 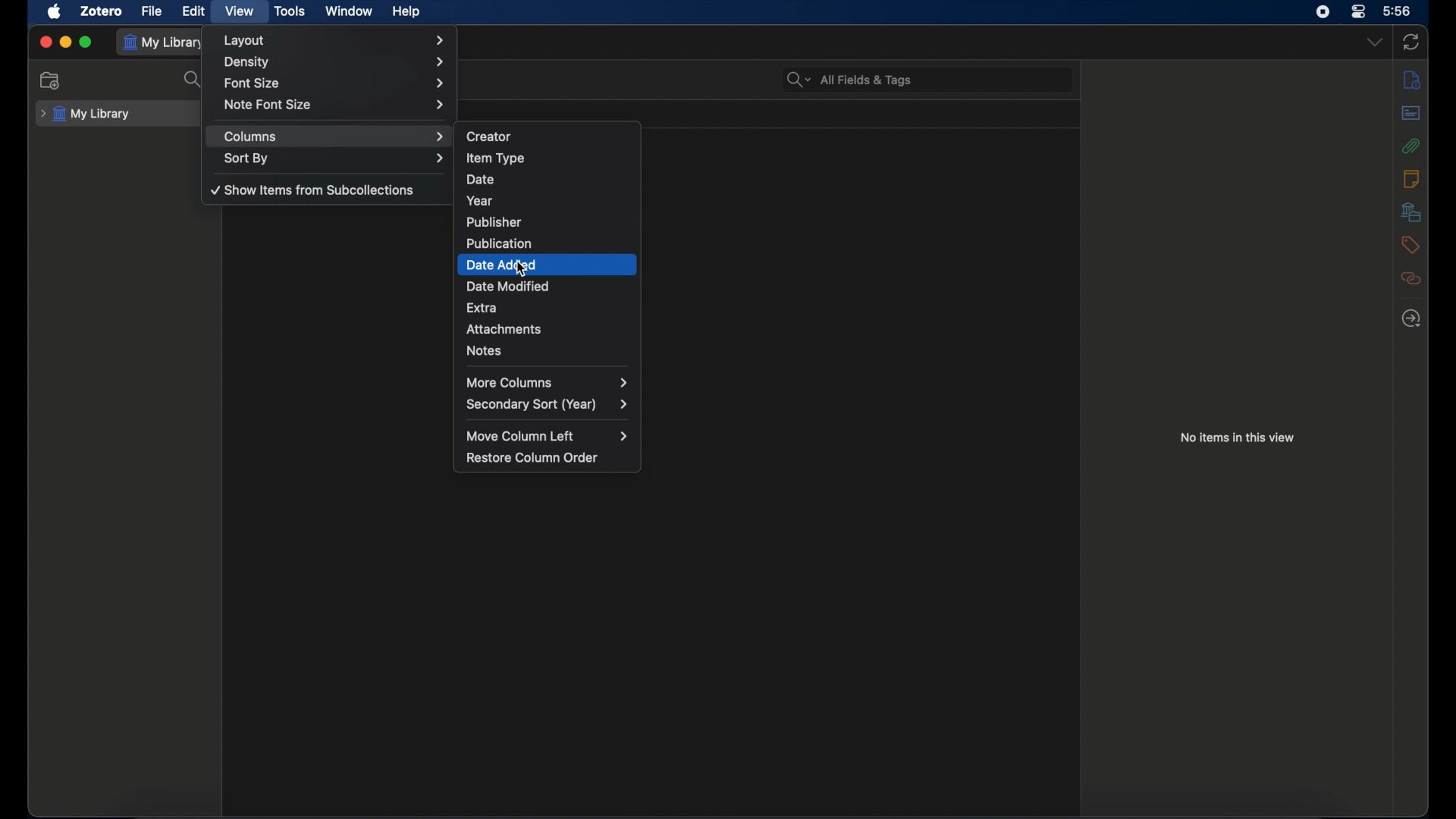 What do you see at coordinates (335, 105) in the screenshot?
I see `note font size` at bounding box center [335, 105].